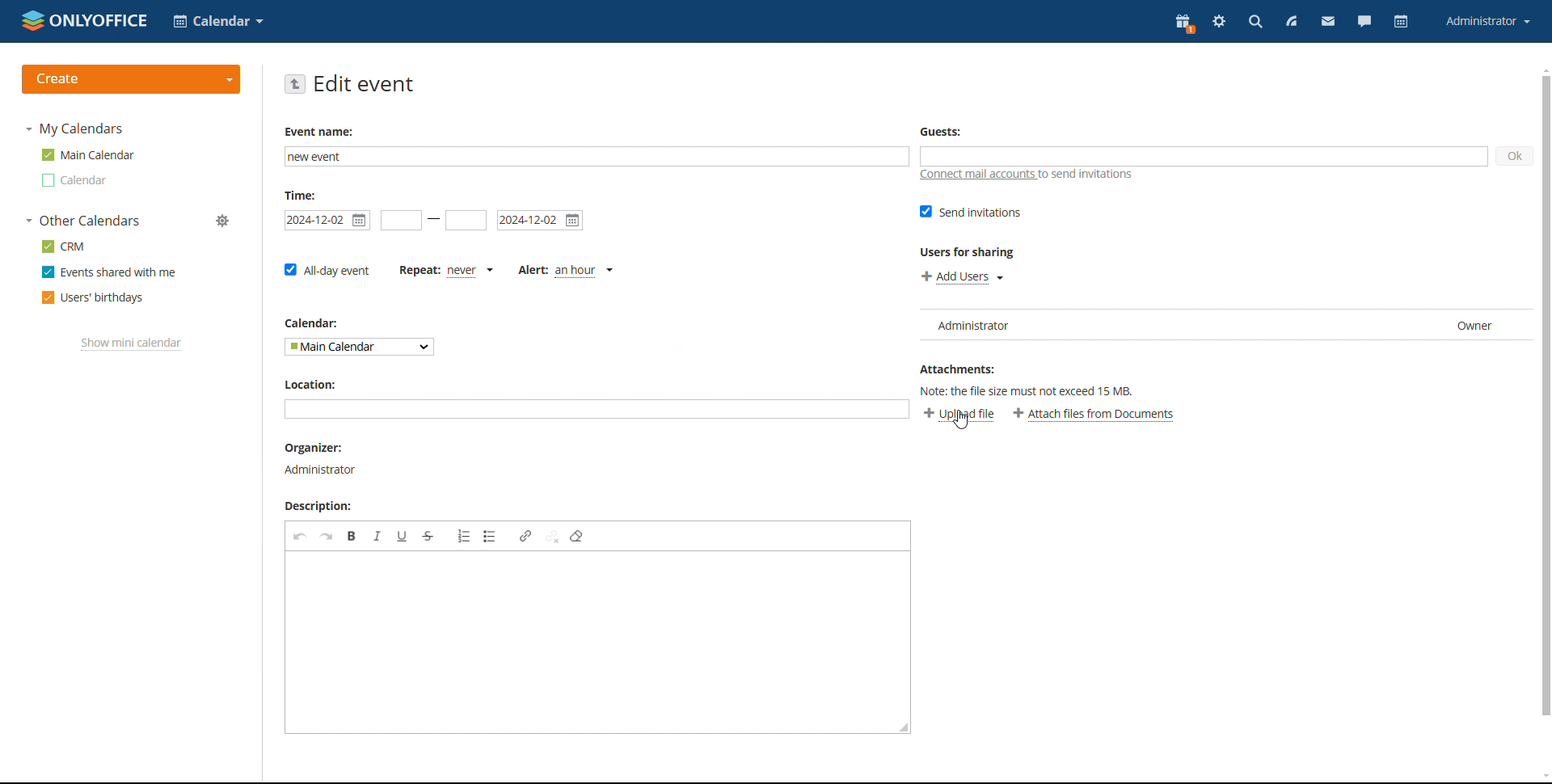 The width and height of the screenshot is (1552, 784). I want to click on present, so click(1183, 23).